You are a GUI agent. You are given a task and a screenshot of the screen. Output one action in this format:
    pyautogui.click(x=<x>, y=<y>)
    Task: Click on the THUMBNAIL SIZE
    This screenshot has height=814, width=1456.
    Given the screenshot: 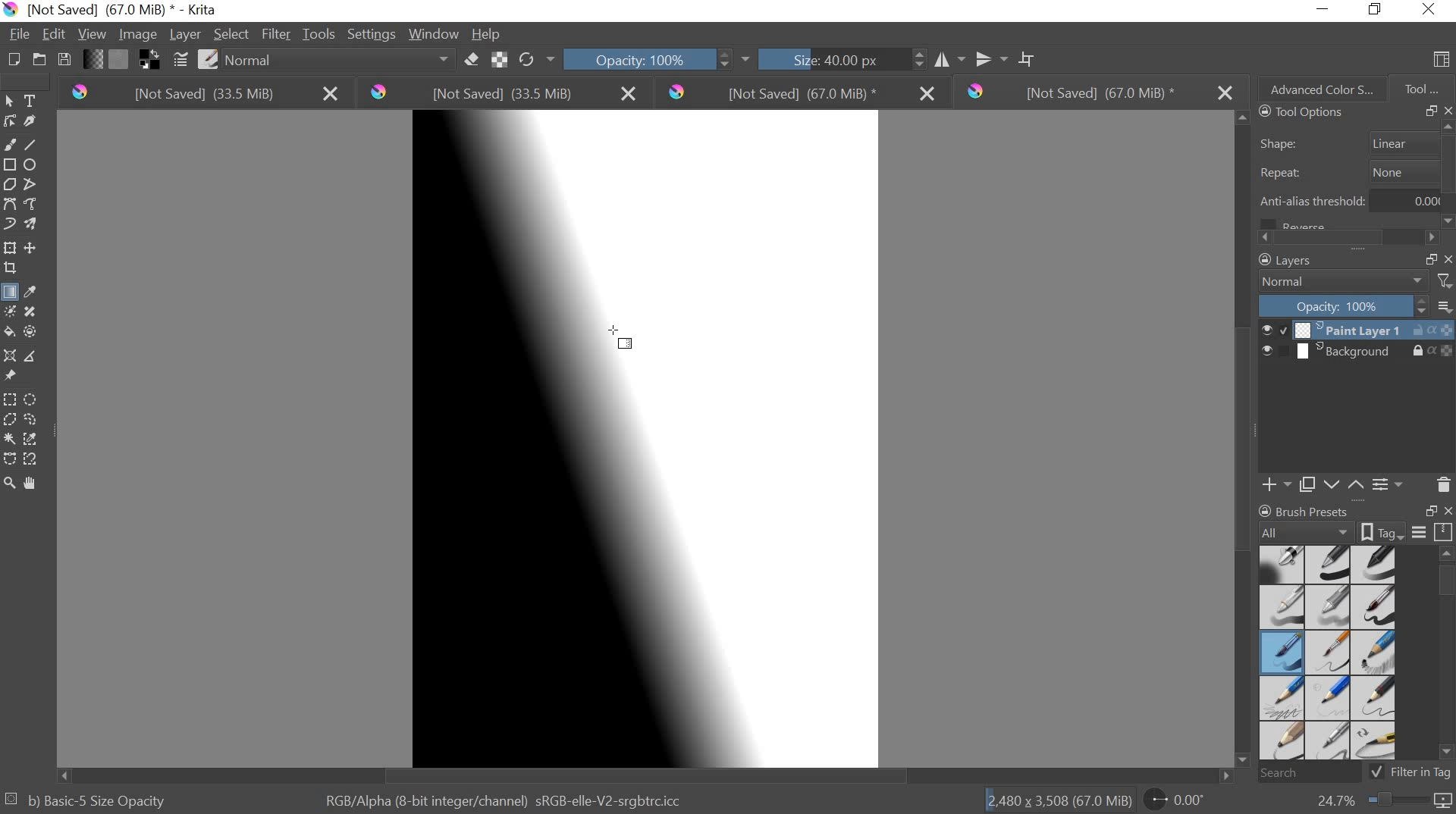 What is the action you would take?
    pyautogui.click(x=1446, y=305)
    